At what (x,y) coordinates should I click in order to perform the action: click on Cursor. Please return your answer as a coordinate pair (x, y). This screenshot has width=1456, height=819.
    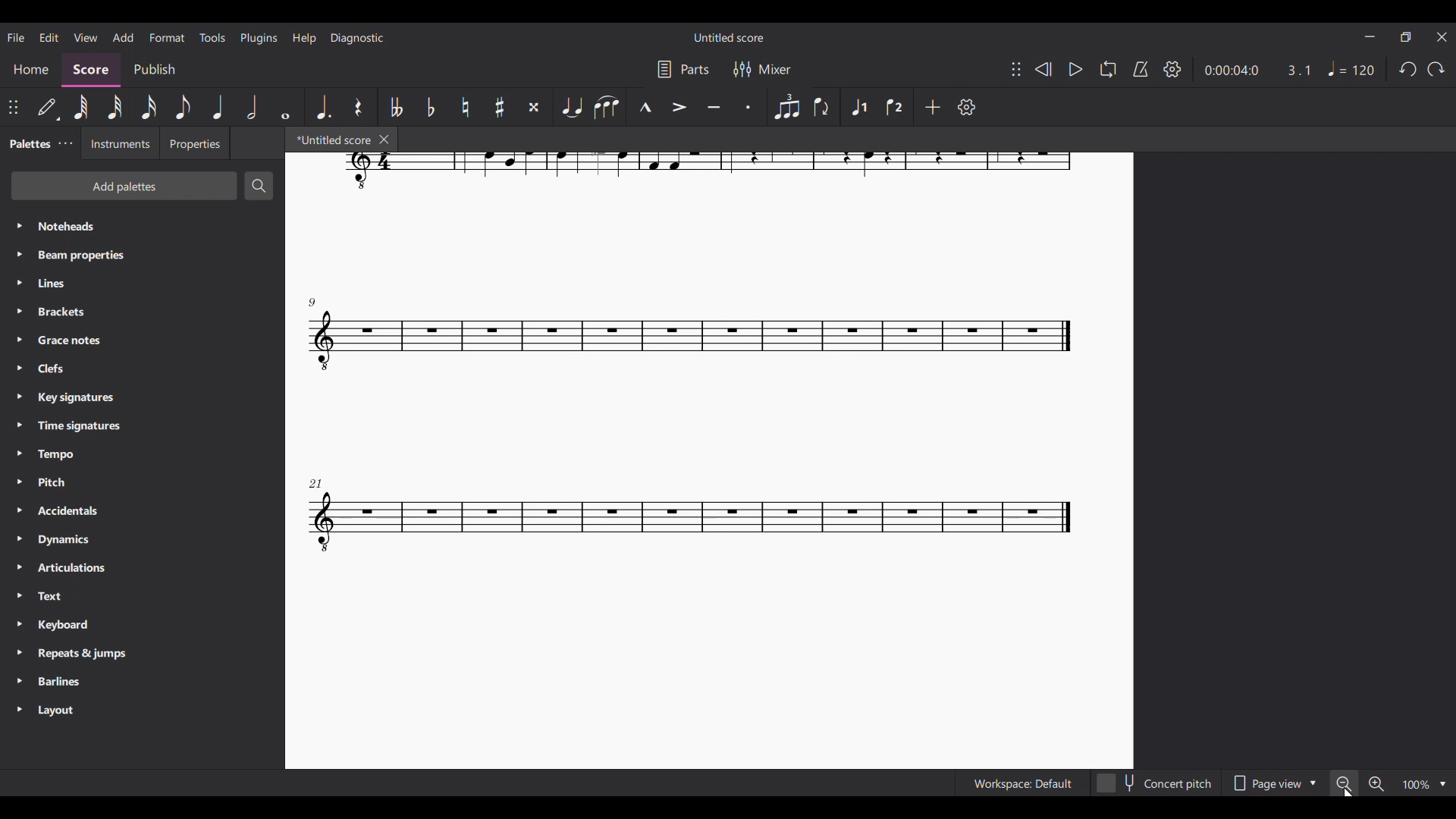
    Looking at the image, I should click on (1349, 791).